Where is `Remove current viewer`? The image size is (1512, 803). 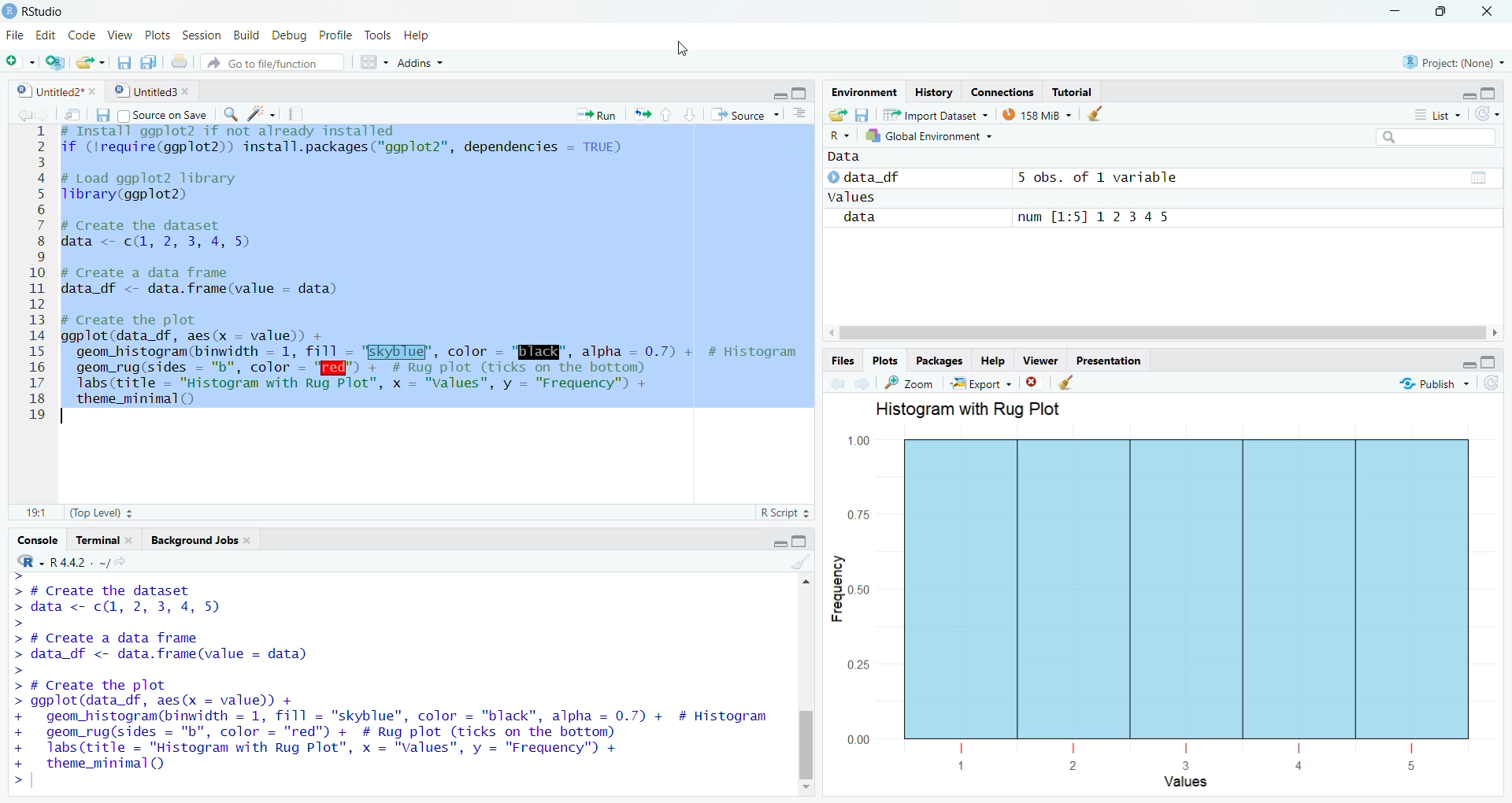 Remove current viewer is located at coordinates (1033, 383).